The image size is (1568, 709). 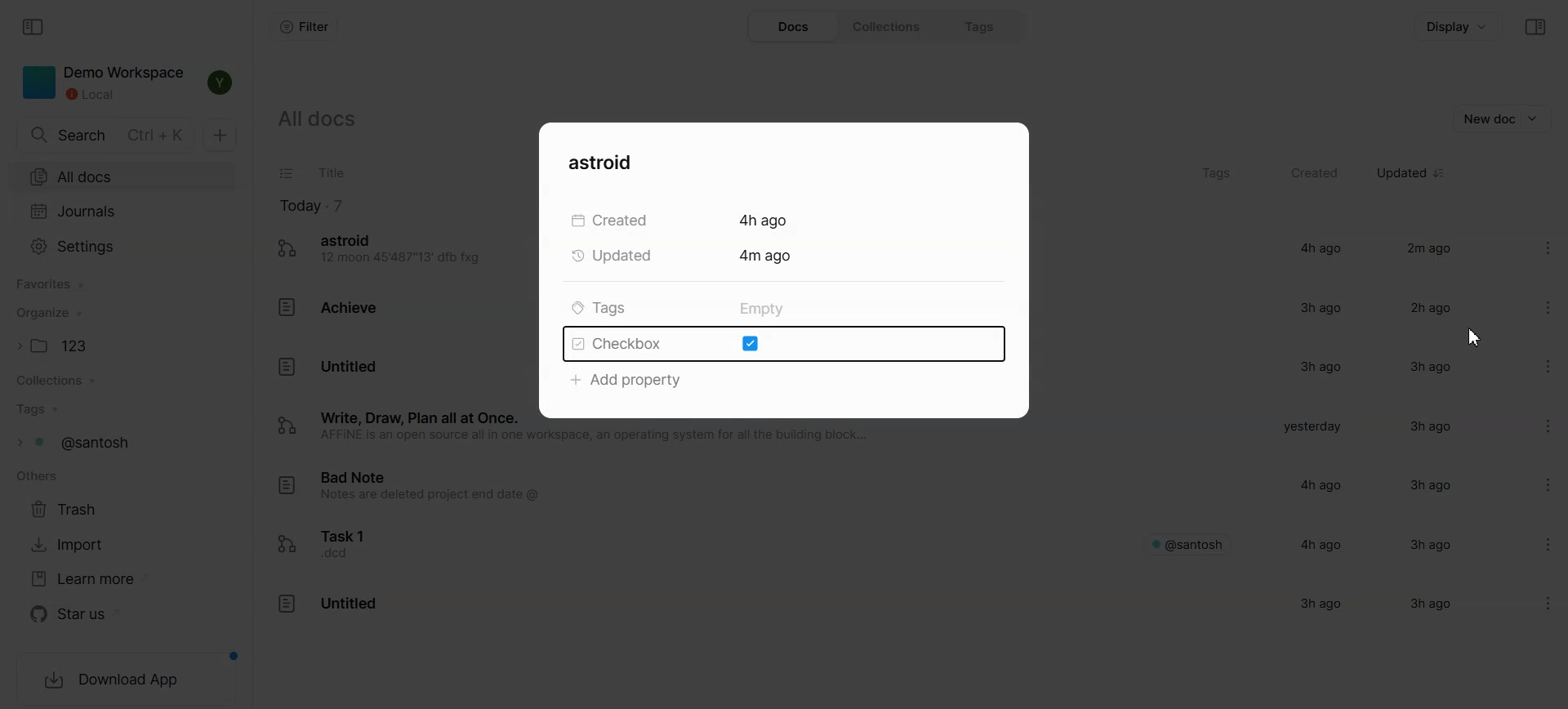 I want to click on Settings, so click(x=124, y=245).